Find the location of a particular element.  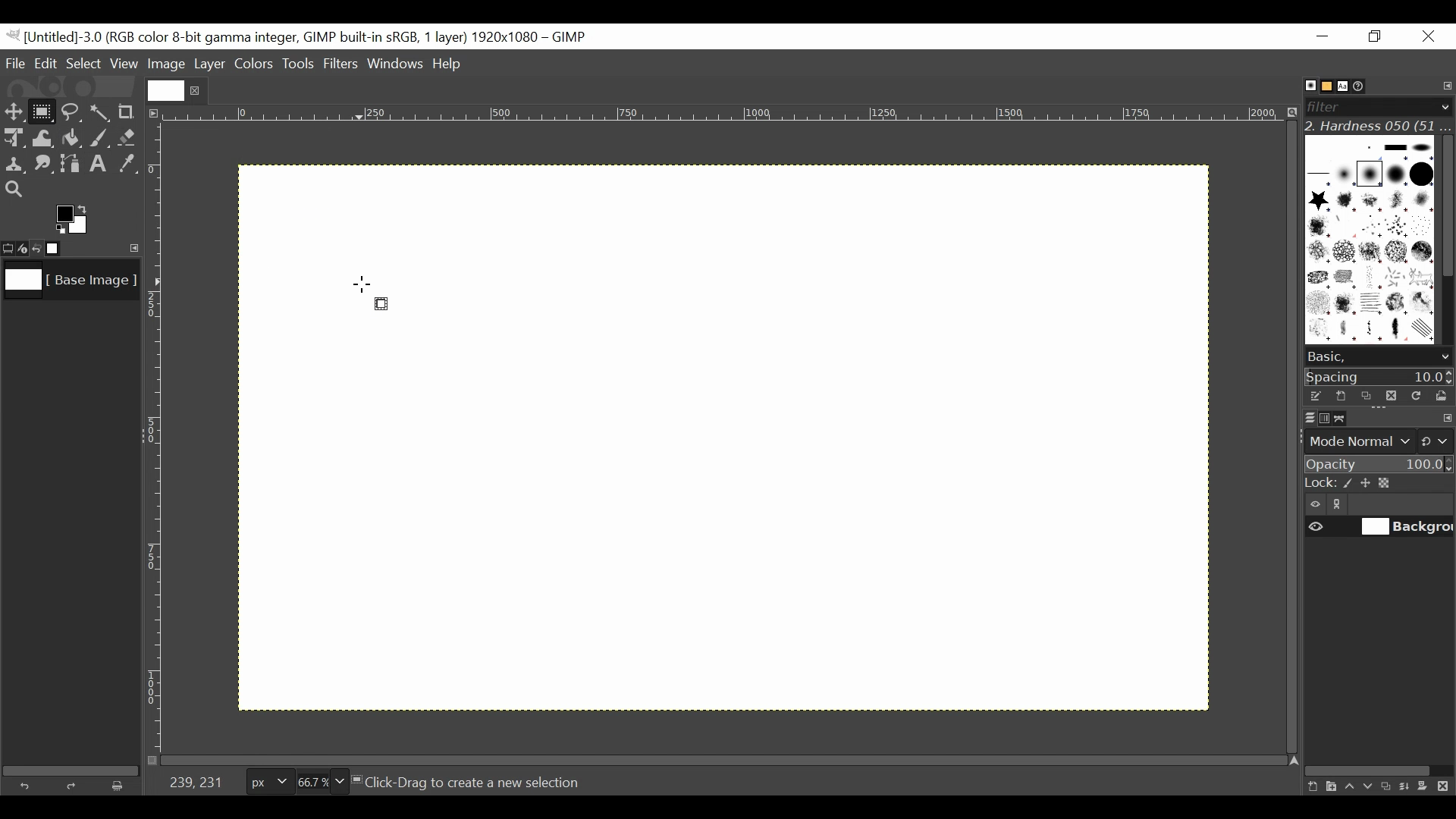

Clone tool is located at coordinates (14, 165).